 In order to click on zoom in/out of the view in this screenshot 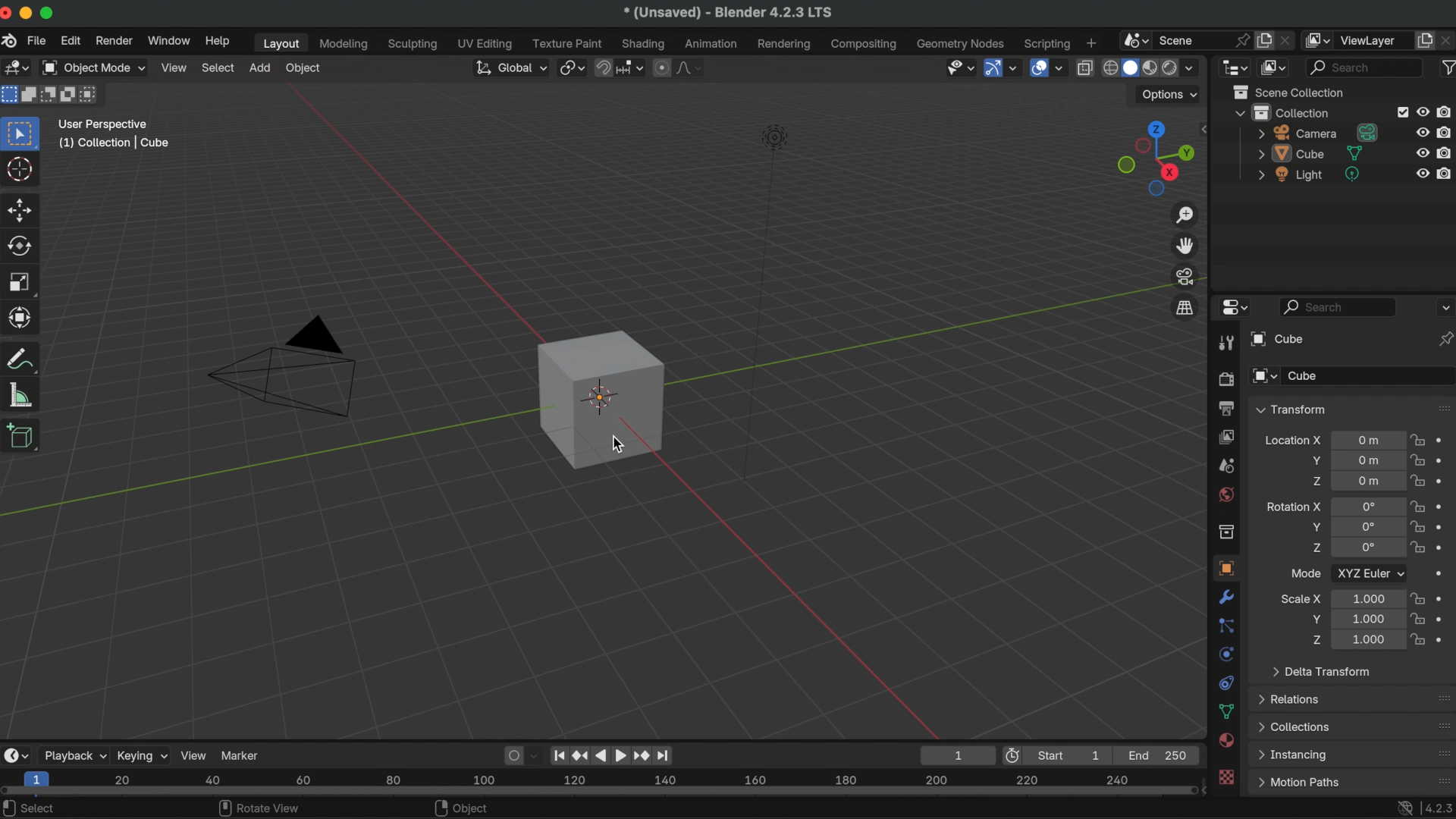, I will do `click(1187, 215)`.